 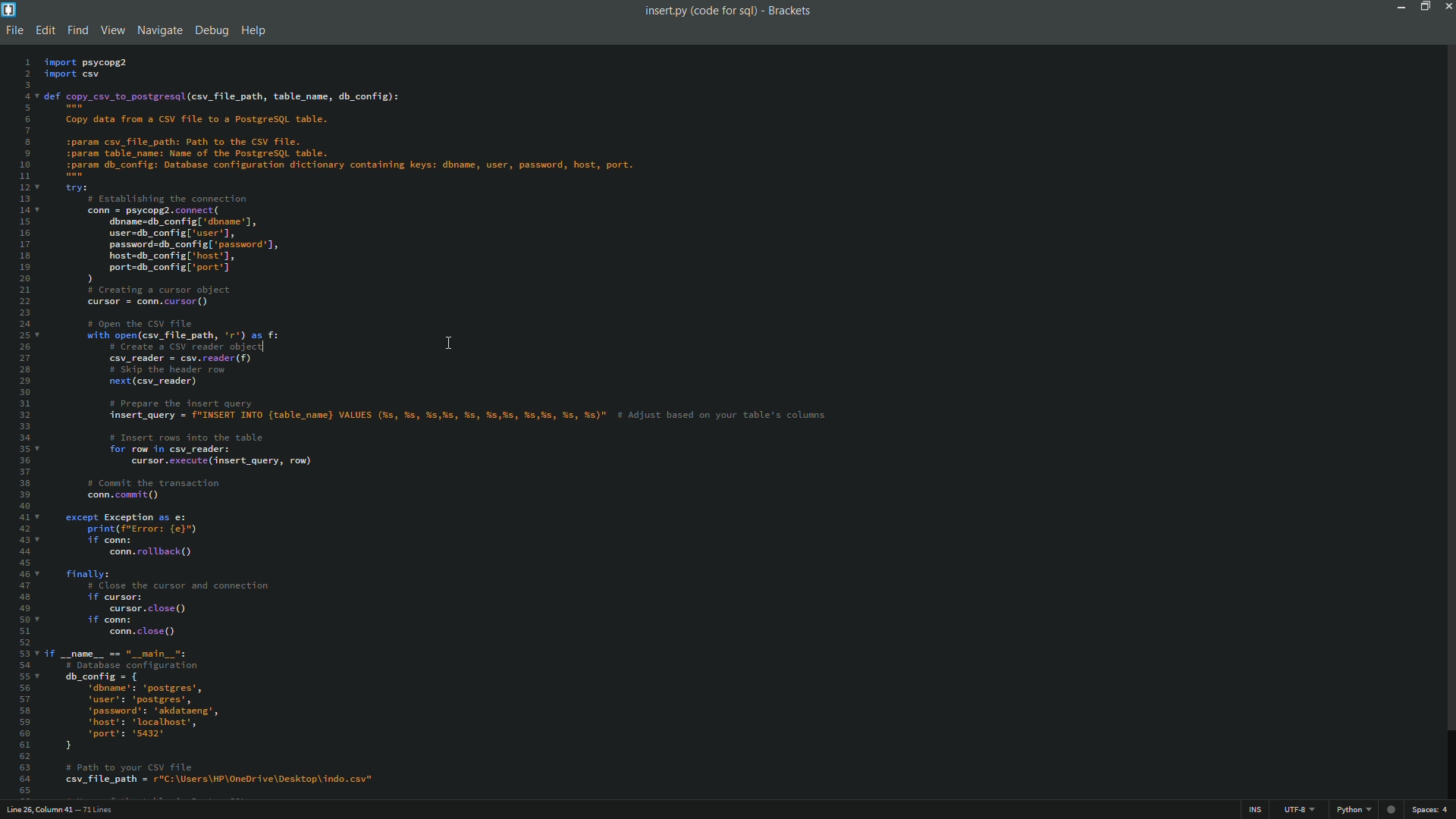 What do you see at coordinates (36, 811) in the screenshot?
I see `cursor position` at bounding box center [36, 811].